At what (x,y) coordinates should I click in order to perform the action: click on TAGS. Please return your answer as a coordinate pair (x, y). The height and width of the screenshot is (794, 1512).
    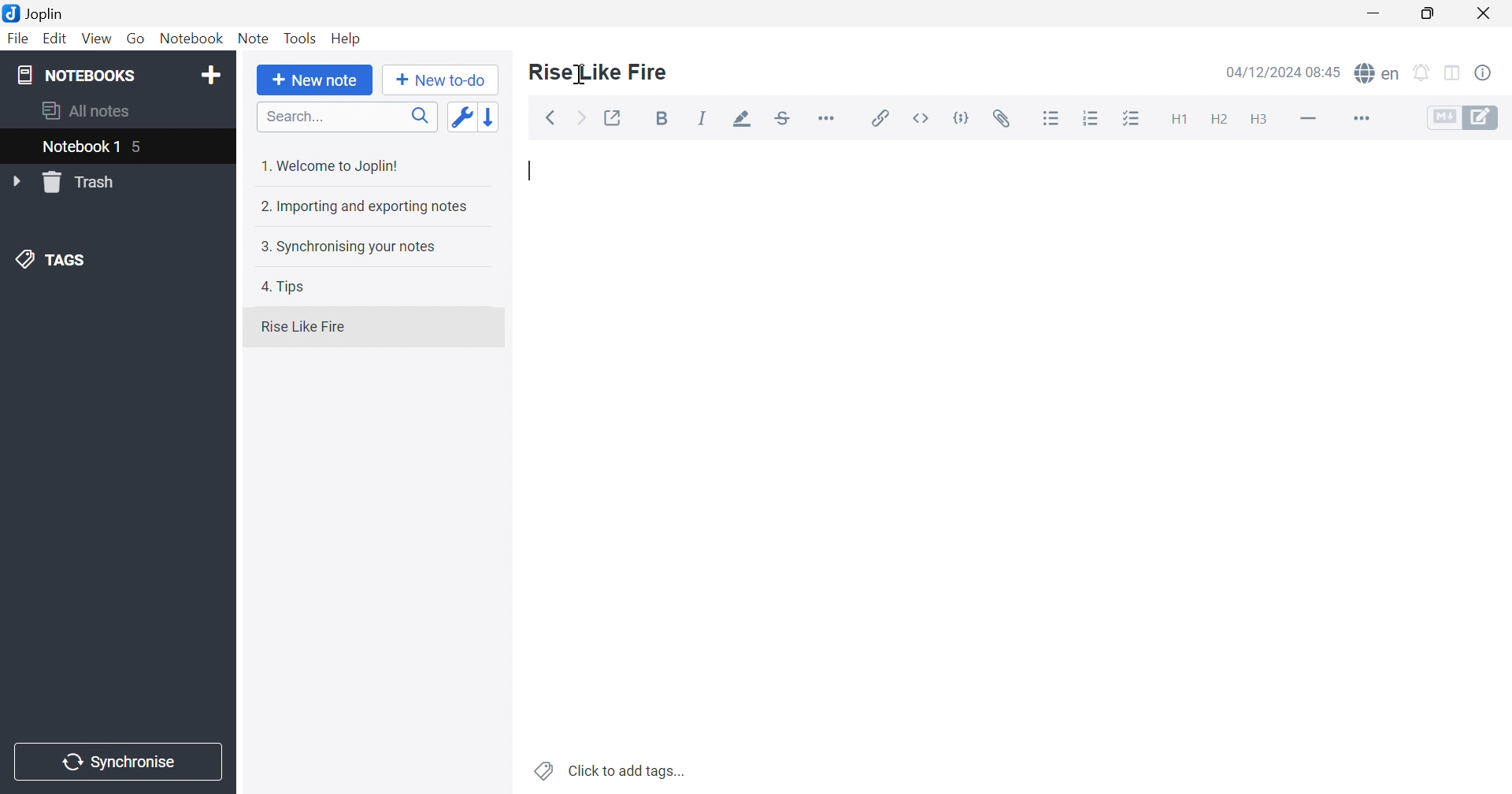
    Looking at the image, I should click on (56, 261).